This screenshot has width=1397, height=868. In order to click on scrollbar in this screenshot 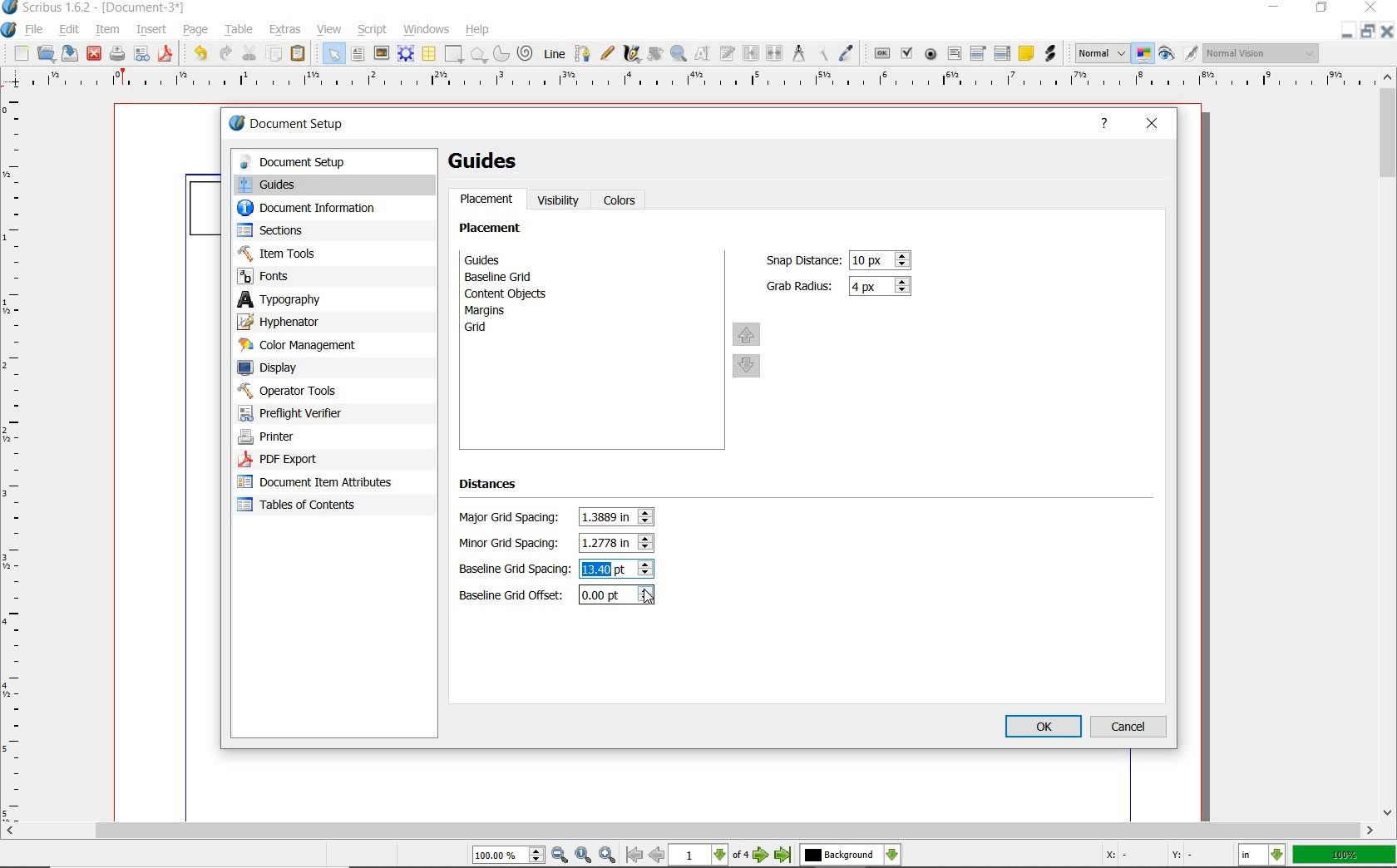, I will do `click(689, 832)`.